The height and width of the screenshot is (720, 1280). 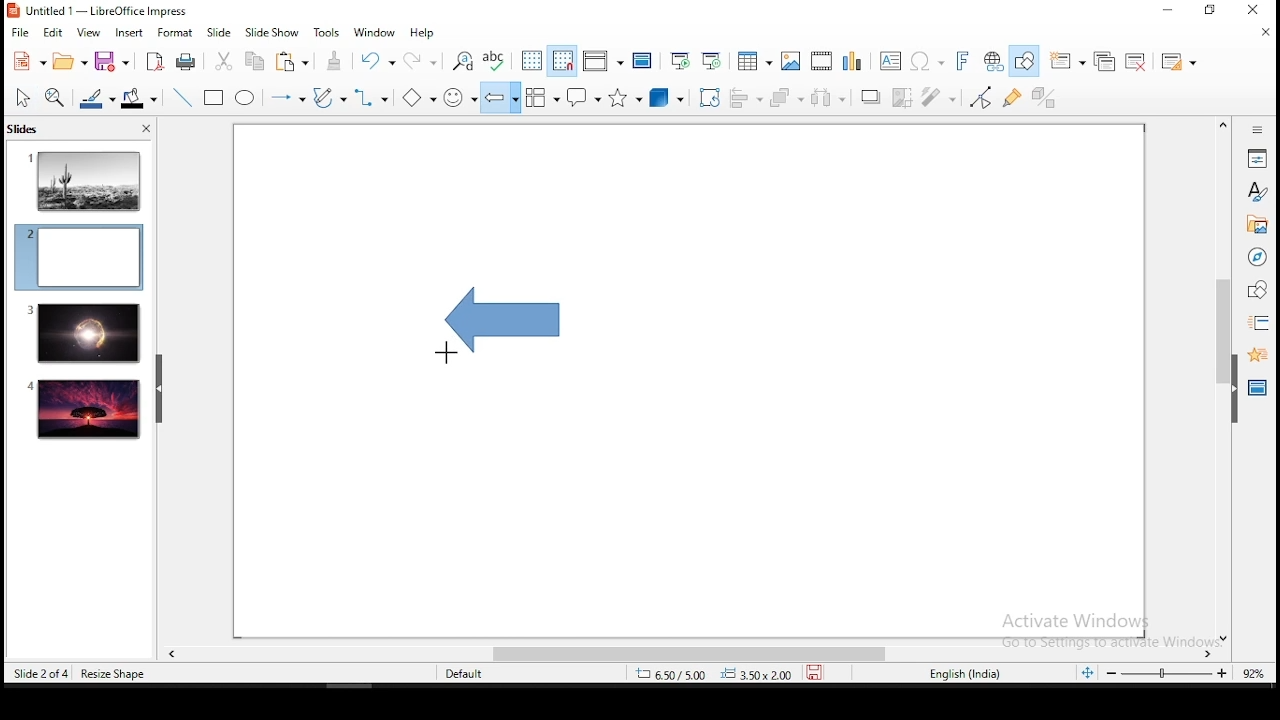 I want to click on 3D objects, so click(x=667, y=99).